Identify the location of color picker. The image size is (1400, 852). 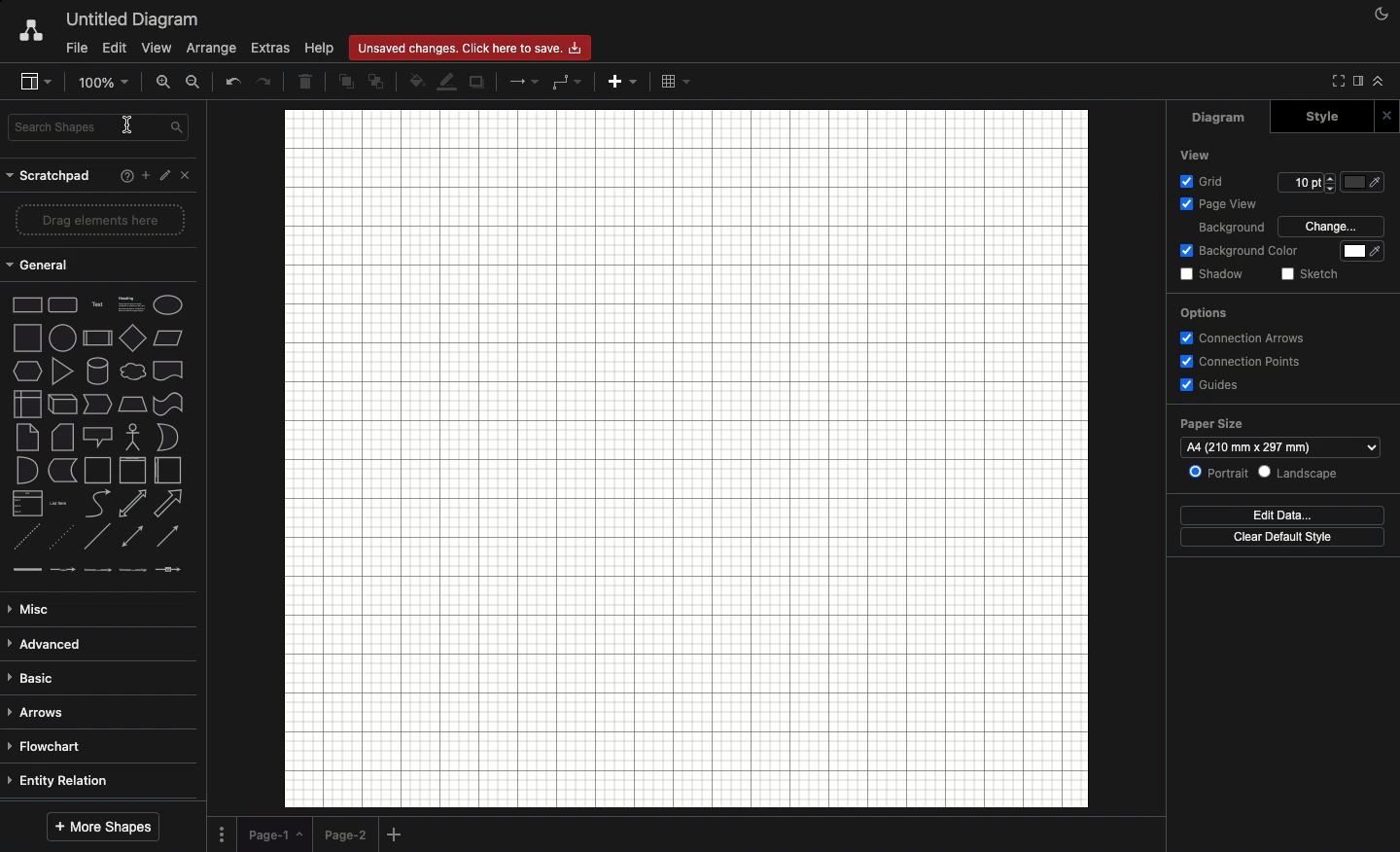
(1368, 180).